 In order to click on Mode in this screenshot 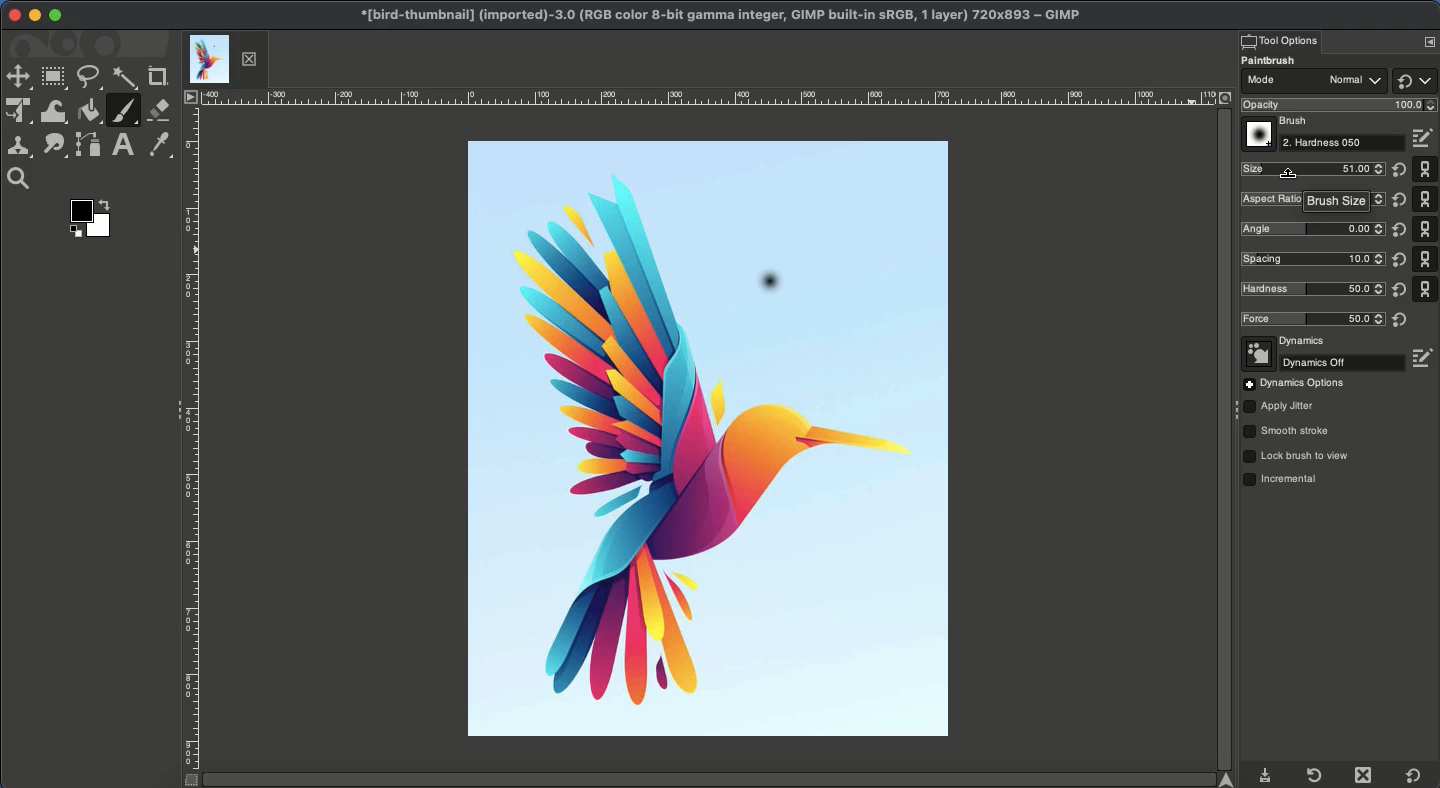, I will do `click(1313, 83)`.